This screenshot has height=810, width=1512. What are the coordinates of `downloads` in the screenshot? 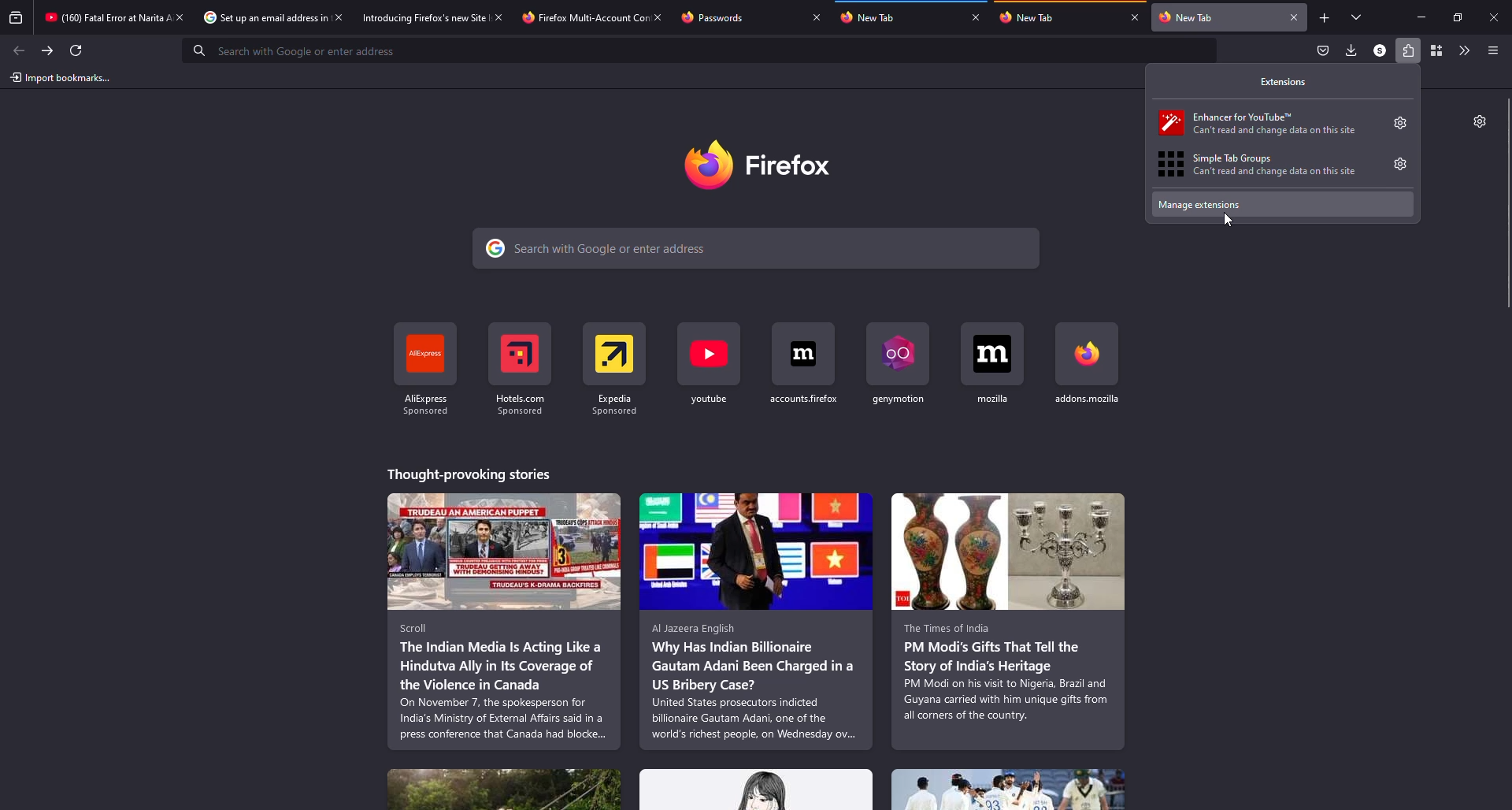 It's located at (1350, 50).